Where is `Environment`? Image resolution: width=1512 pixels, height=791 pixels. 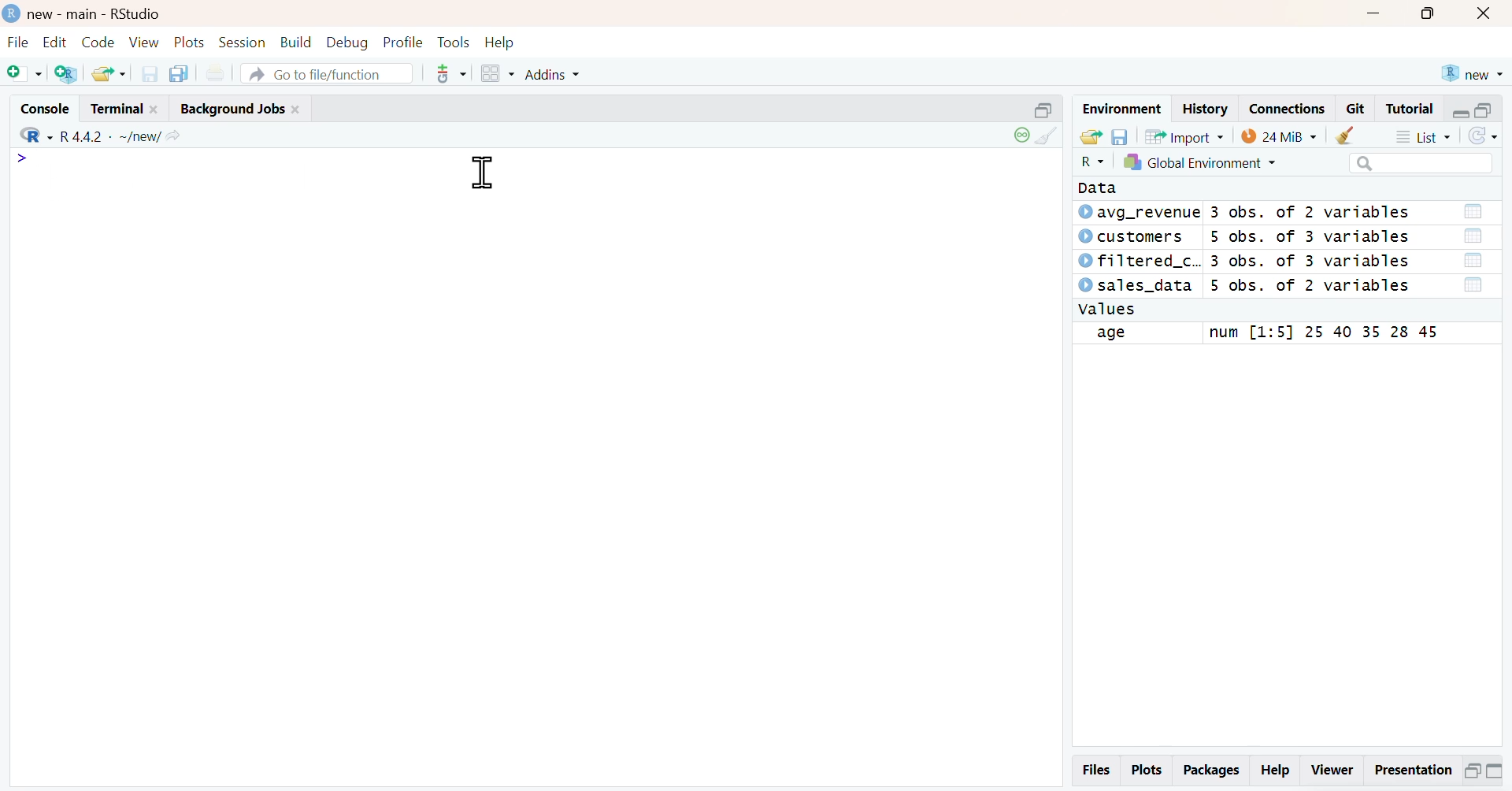
Environment is located at coordinates (1122, 109).